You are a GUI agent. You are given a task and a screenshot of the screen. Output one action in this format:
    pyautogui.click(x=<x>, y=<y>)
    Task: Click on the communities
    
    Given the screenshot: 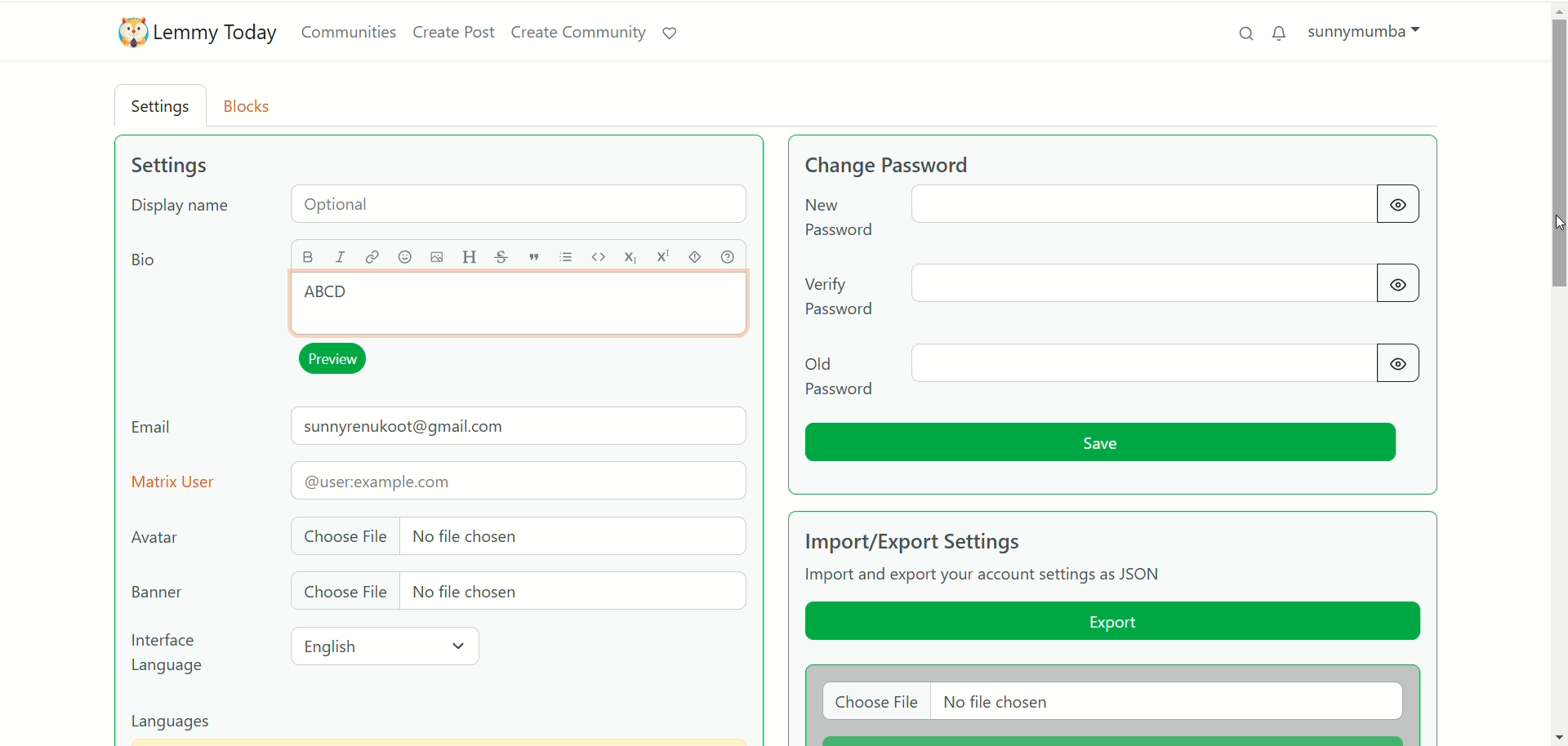 What is the action you would take?
    pyautogui.click(x=349, y=33)
    